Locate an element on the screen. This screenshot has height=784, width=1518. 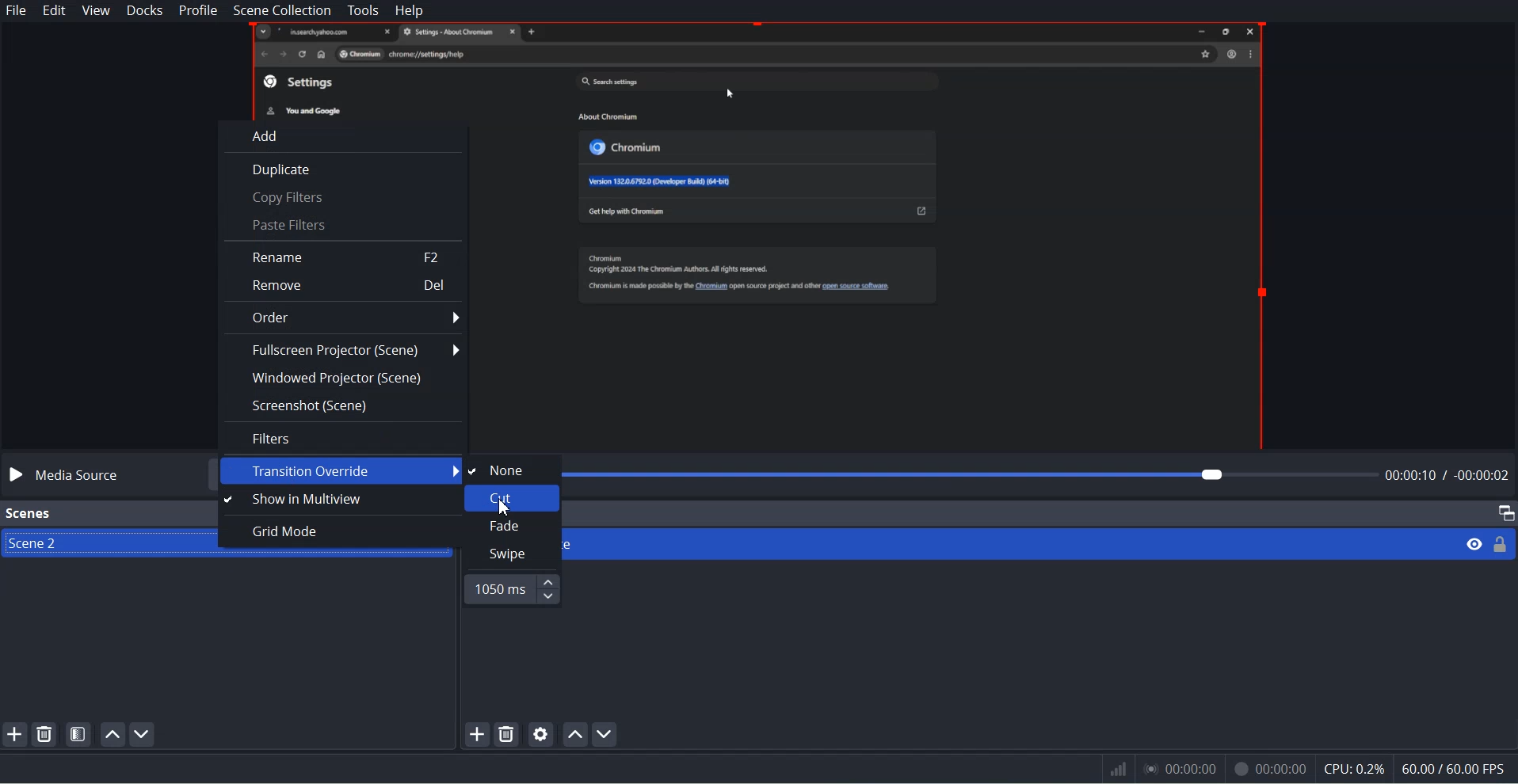
Tools is located at coordinates (362, 10).